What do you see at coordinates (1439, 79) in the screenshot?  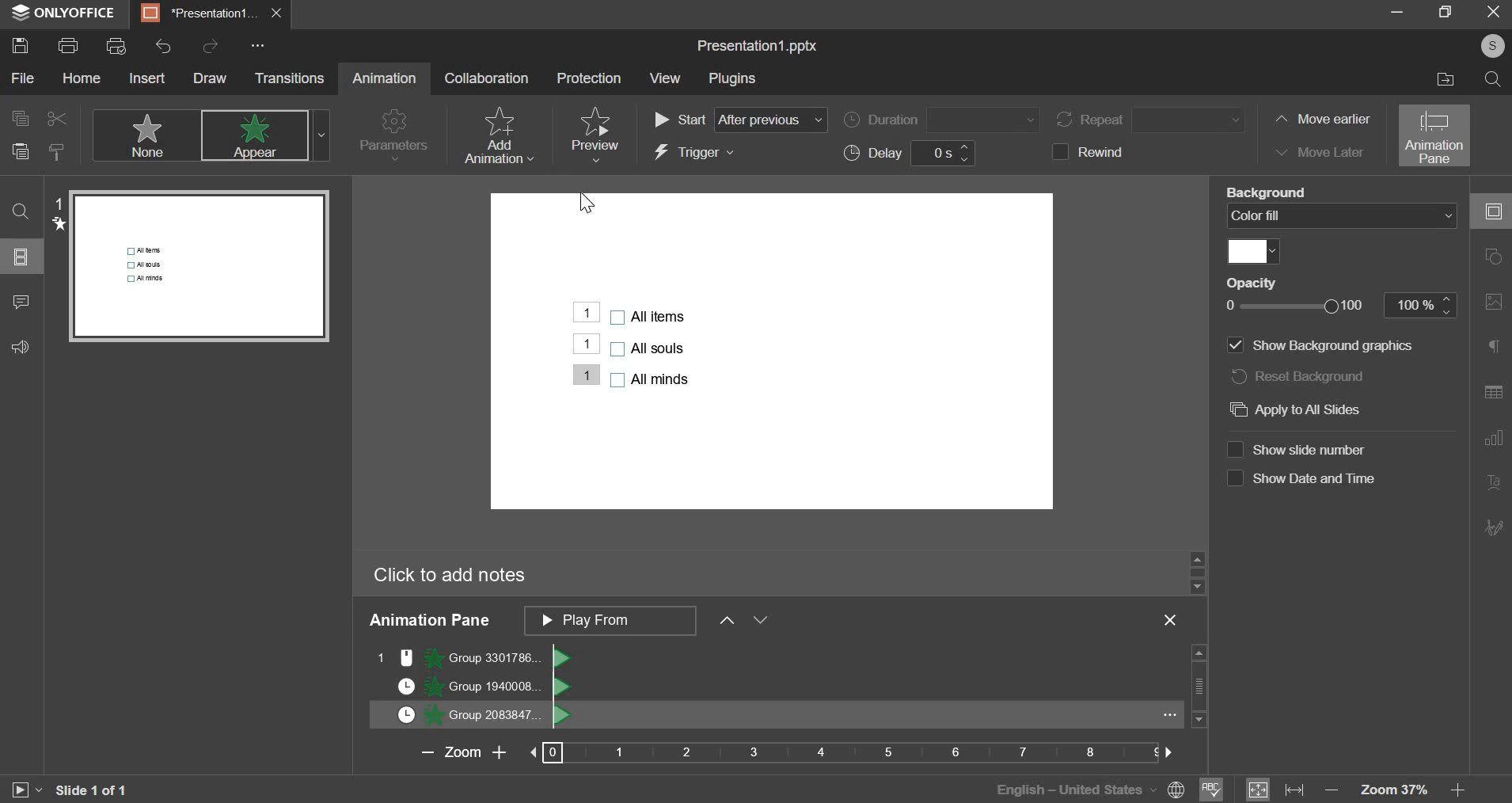 I see `file location` at bounding box center [1439, 79].